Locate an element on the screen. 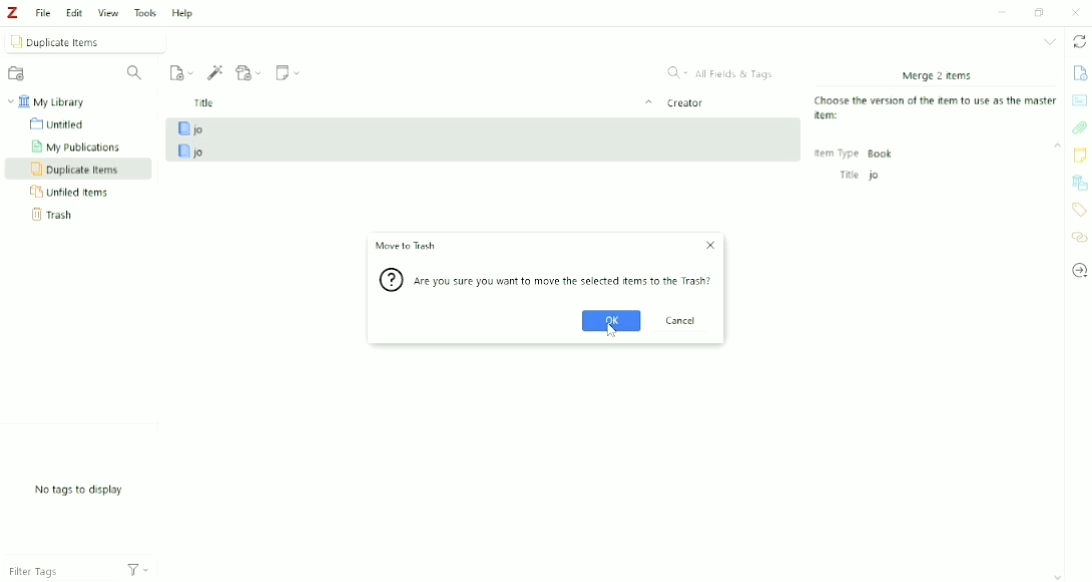 The width and height of the screenshot is (1092, 582). Are you sure you want to move the selected items to Trash? is located at coordinates (567, 282).